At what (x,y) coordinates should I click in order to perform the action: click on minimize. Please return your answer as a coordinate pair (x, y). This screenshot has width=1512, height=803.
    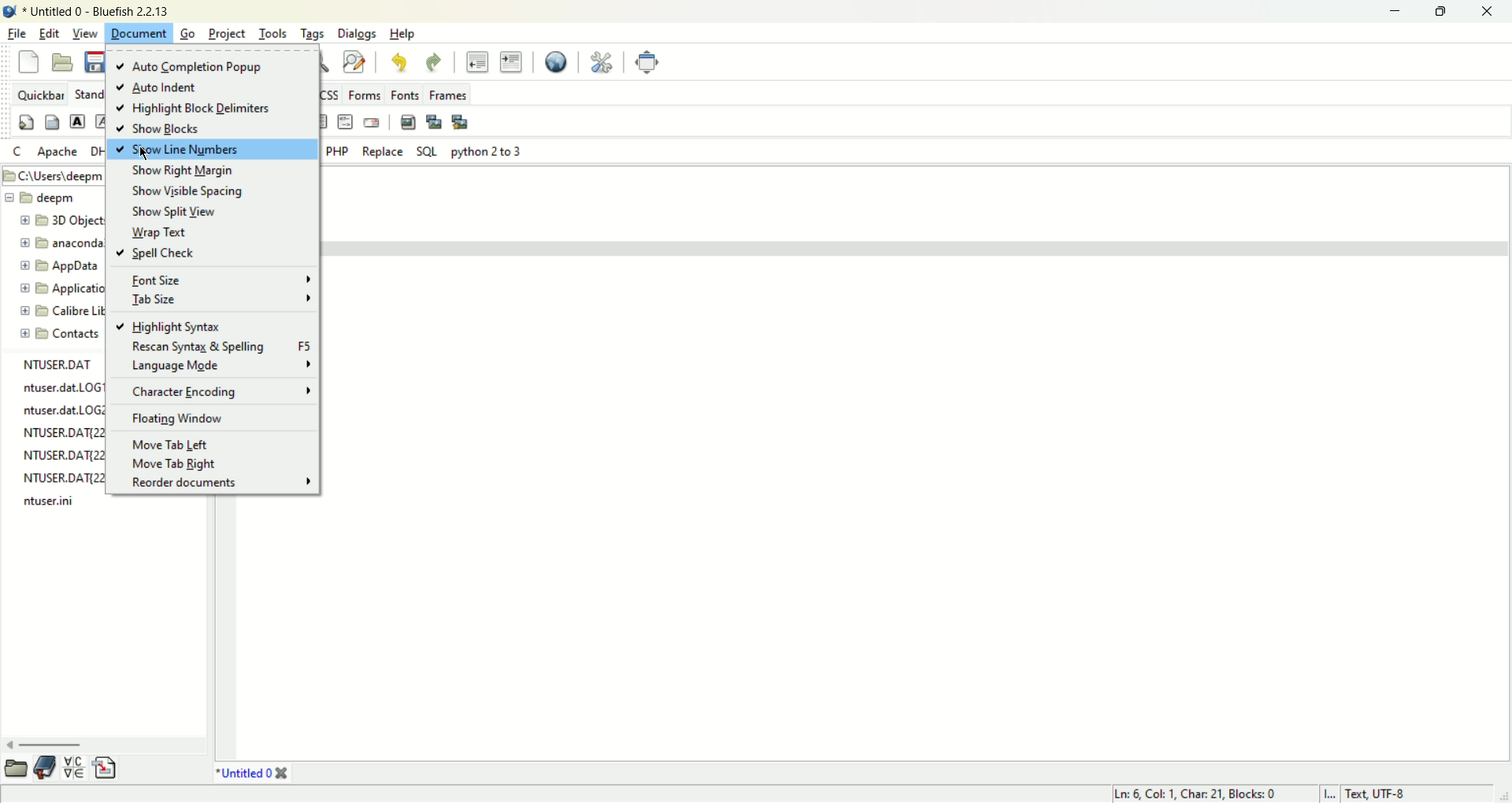
    Looking at the image, I should click on (1395, 13).